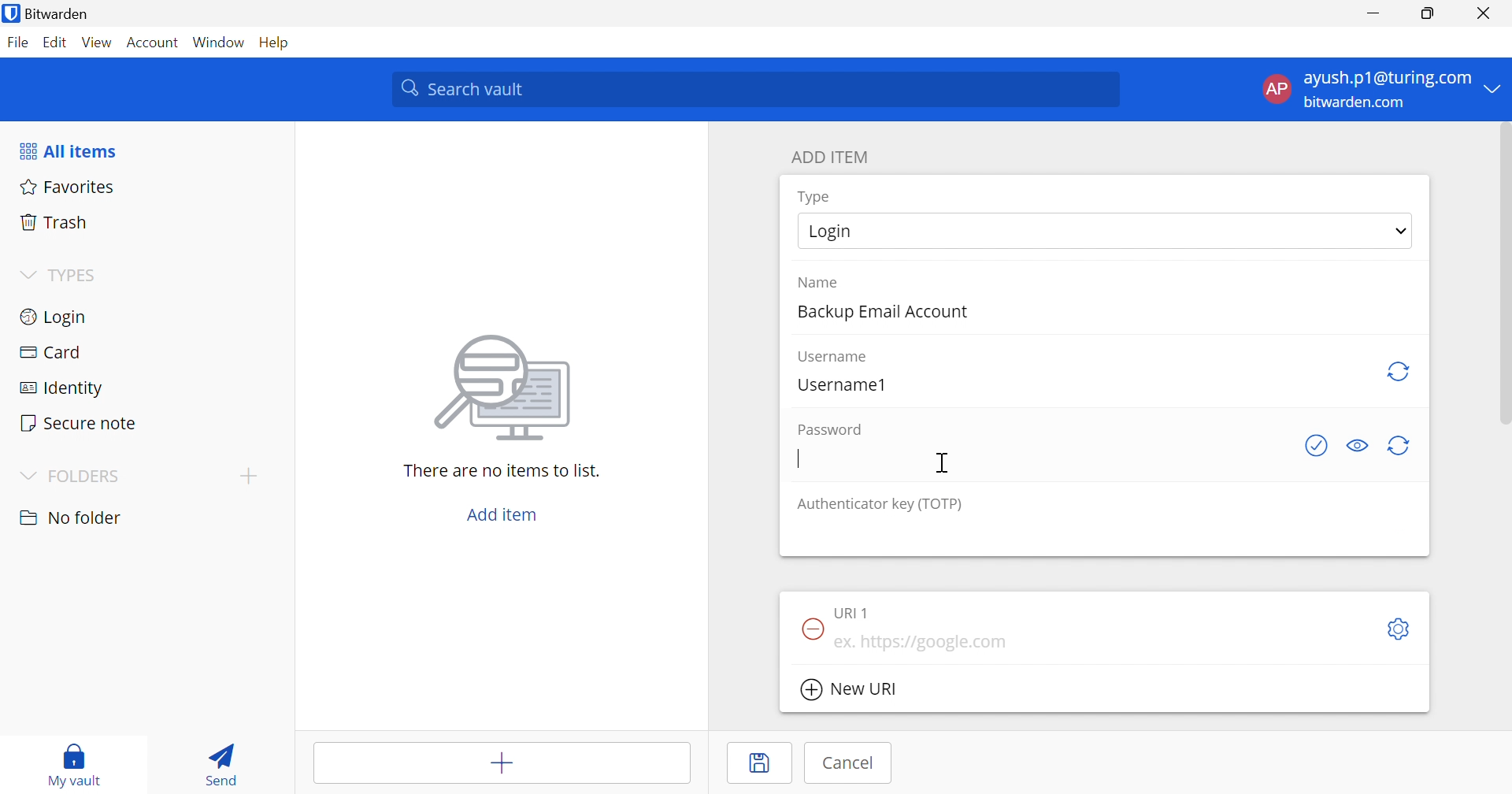  What do you see at coordinates (55, 221) in the screenshot?
I see `Trash` at bounding box center [55, 221].